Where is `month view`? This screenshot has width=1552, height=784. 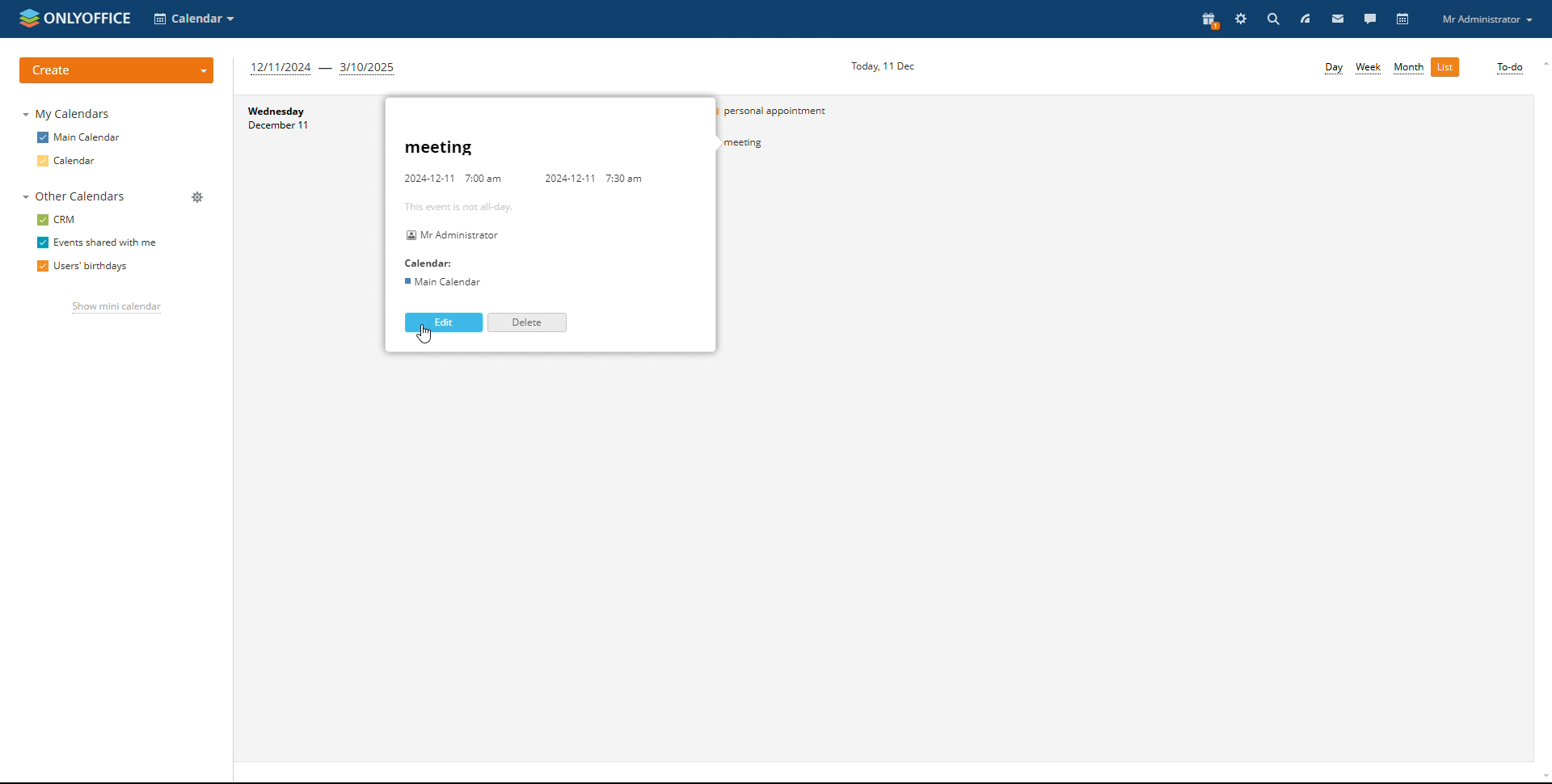 month view is located at coordinates (1409, 69).